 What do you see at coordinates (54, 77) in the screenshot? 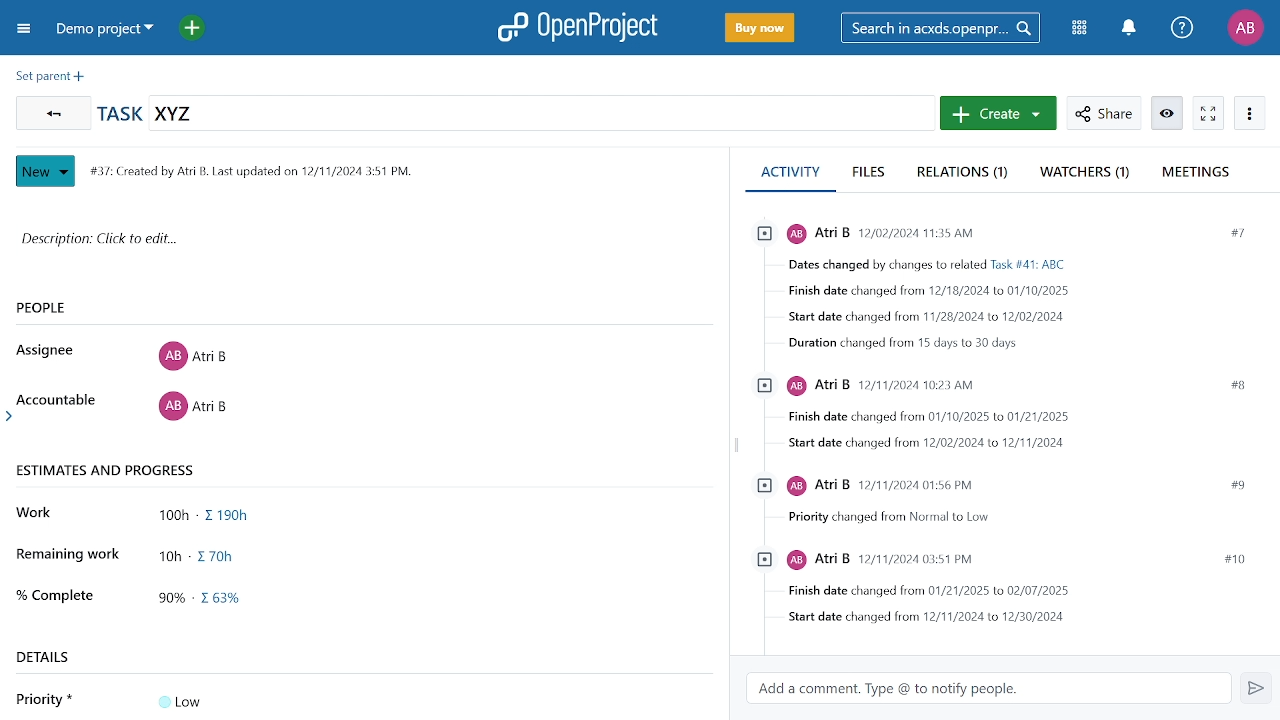
I see `Set present` at bounding box center [54, 77].